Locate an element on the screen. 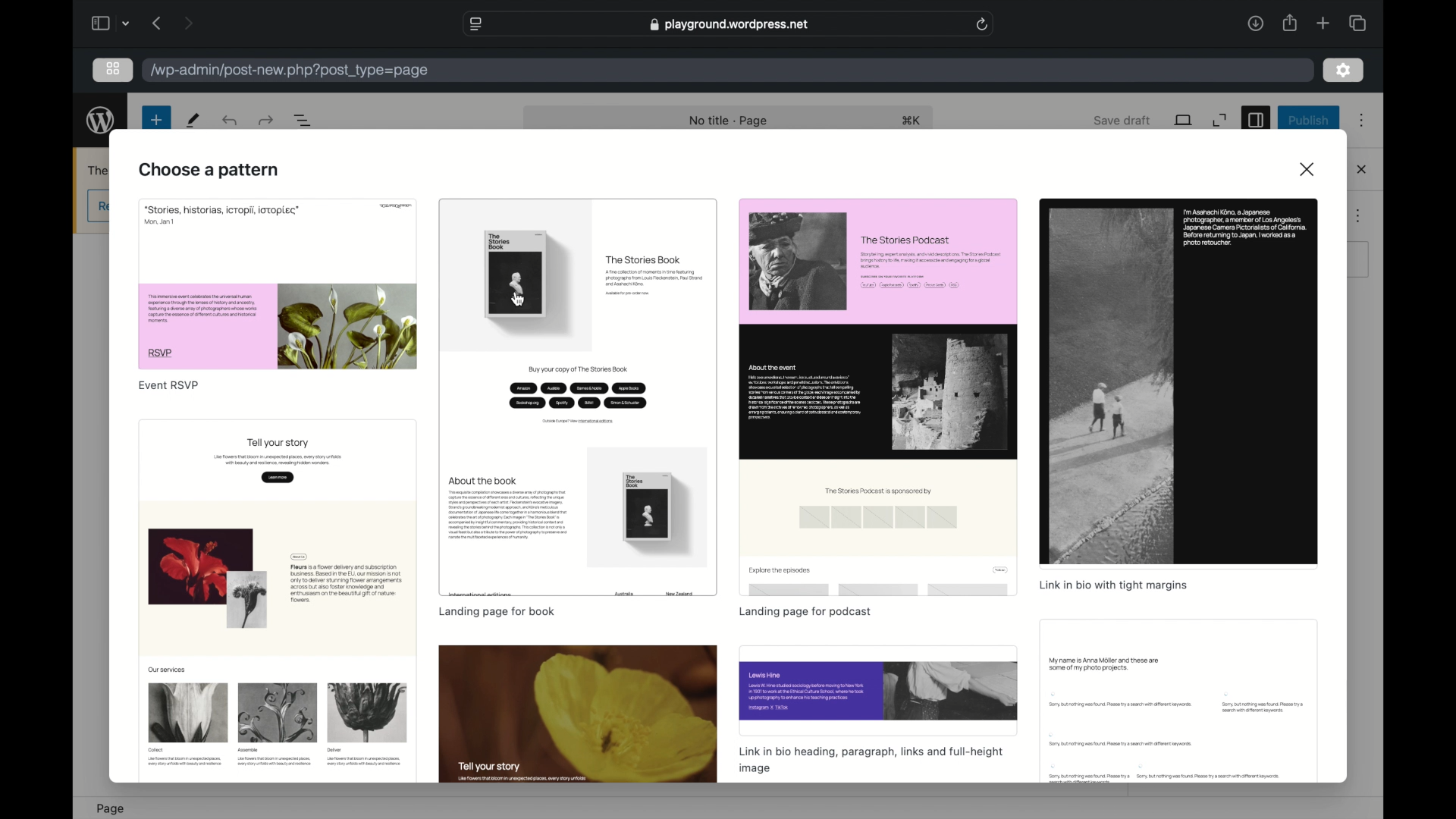 The width and height of the screenshot is (1456, 819). landing page for book is located at coordinates (500, 612).